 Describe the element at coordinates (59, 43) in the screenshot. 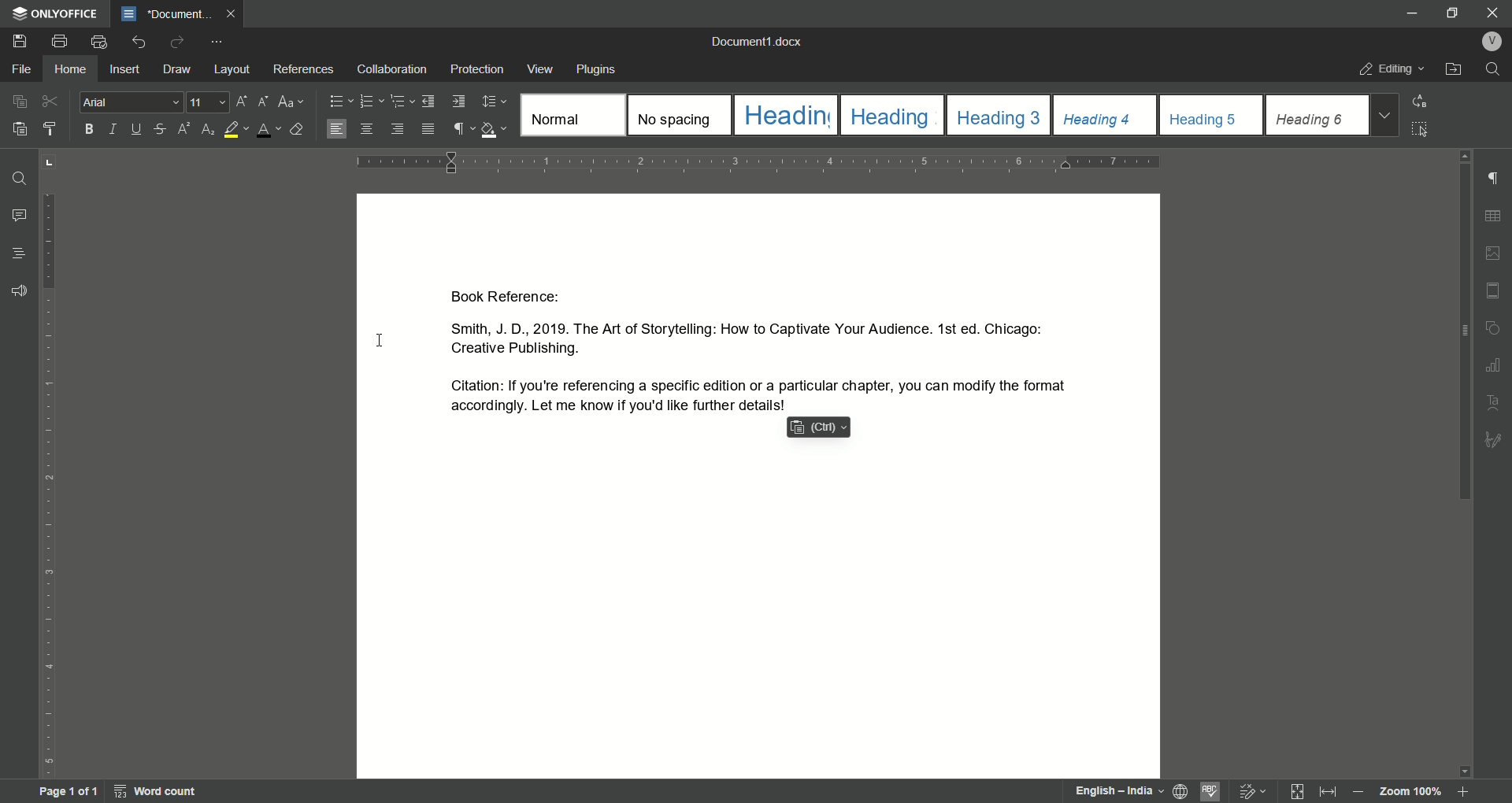

I see `print` at that location.